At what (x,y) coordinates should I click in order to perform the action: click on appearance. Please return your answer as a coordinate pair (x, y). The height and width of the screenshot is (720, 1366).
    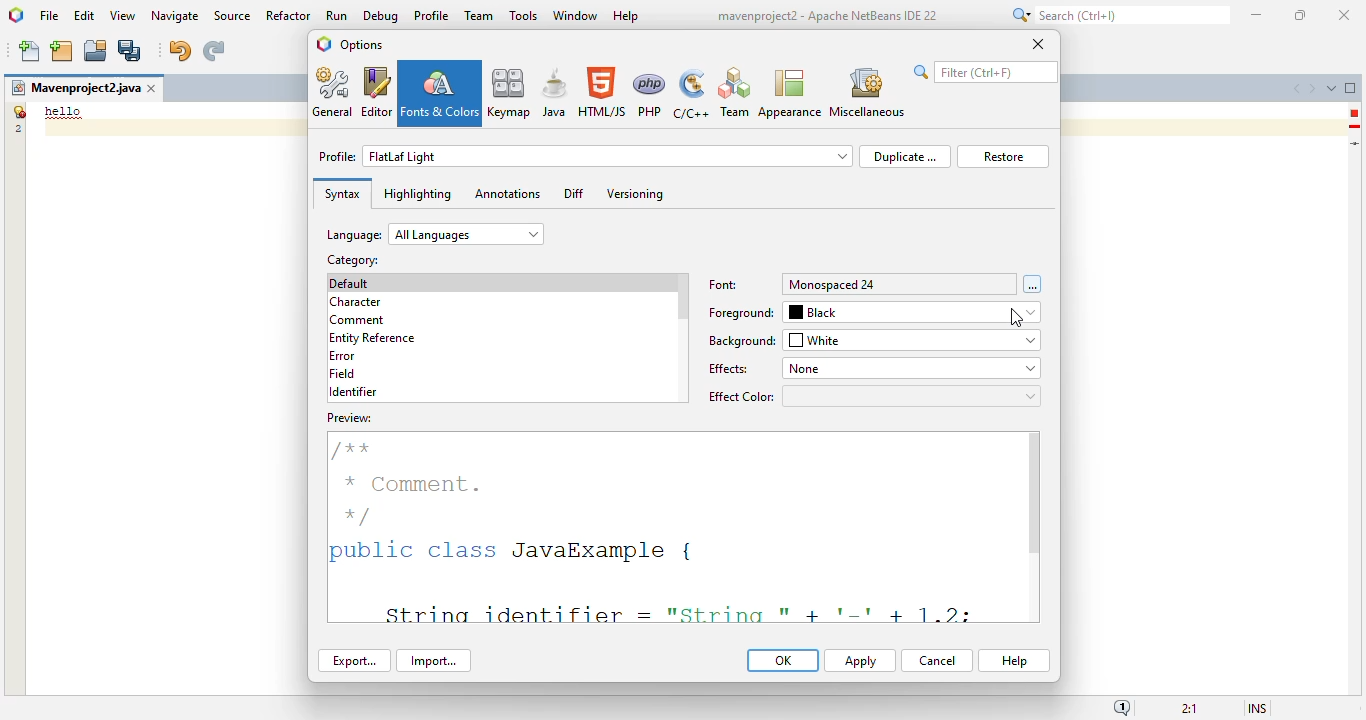
    Looking at the image, I should click on (790, 94).